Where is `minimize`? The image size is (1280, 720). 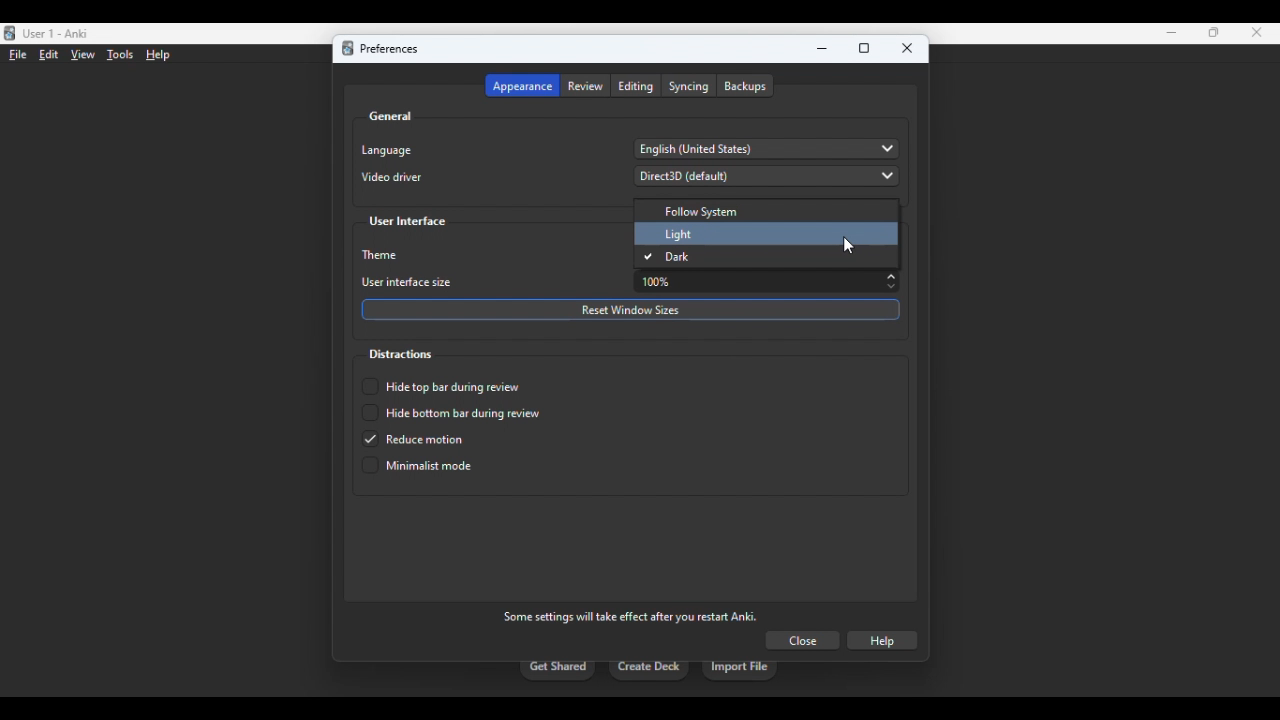 minimize is located at coordinates (1172, 33).